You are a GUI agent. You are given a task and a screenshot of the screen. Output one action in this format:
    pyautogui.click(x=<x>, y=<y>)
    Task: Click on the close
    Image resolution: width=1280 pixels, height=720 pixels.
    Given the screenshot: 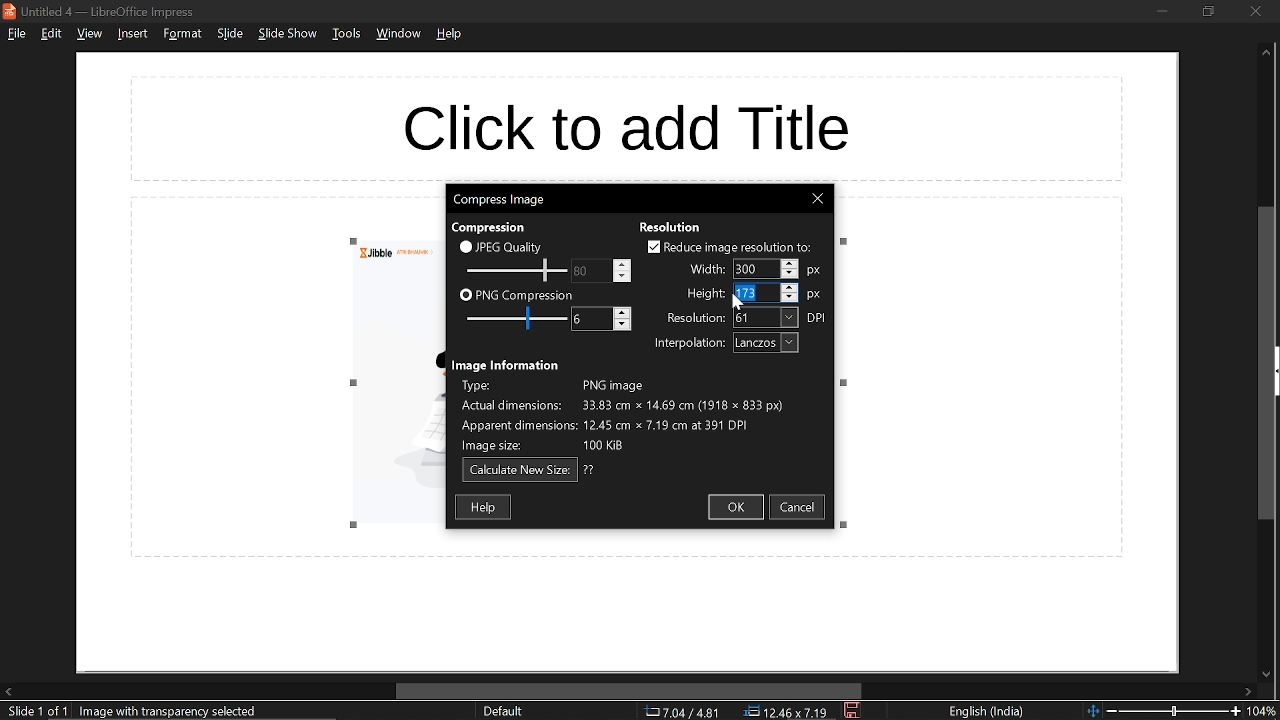 What is the action you would take?
    pyautogui.click(x=819, y=199)
    